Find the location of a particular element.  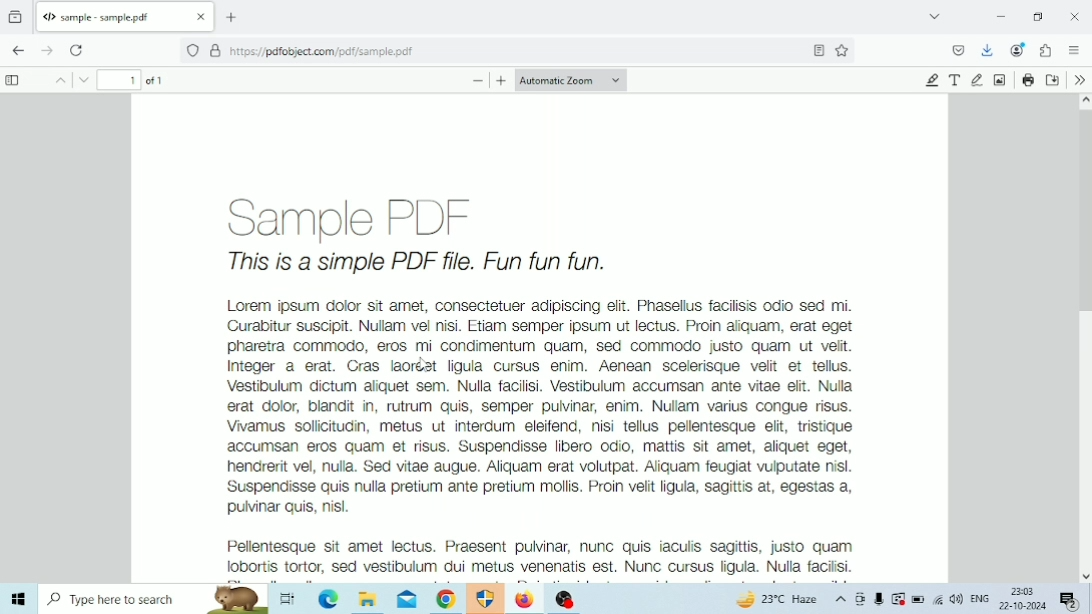

File Explorer is located at coordinates (368, 598).